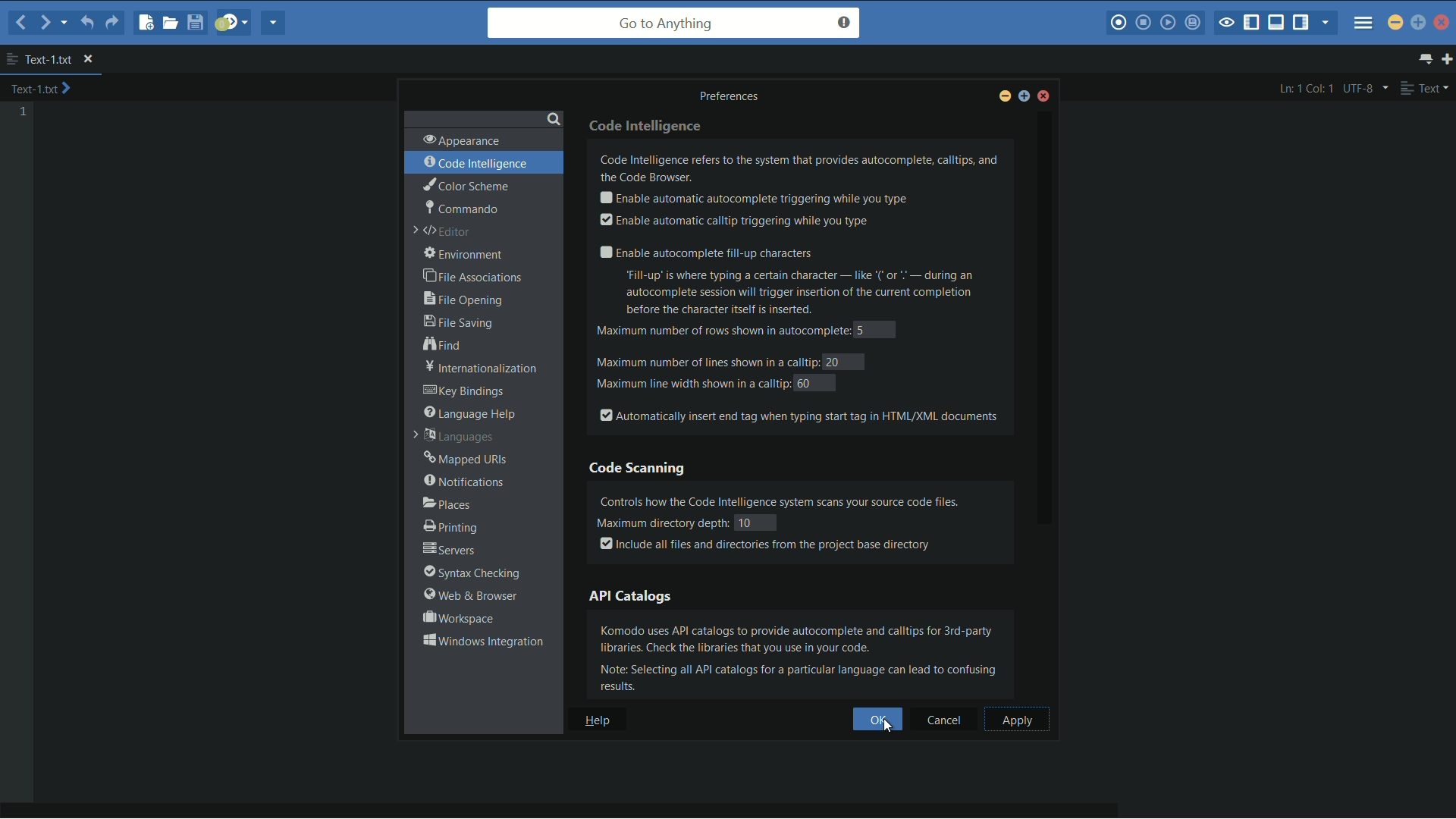  I want to click on open file, so click(172, 22).